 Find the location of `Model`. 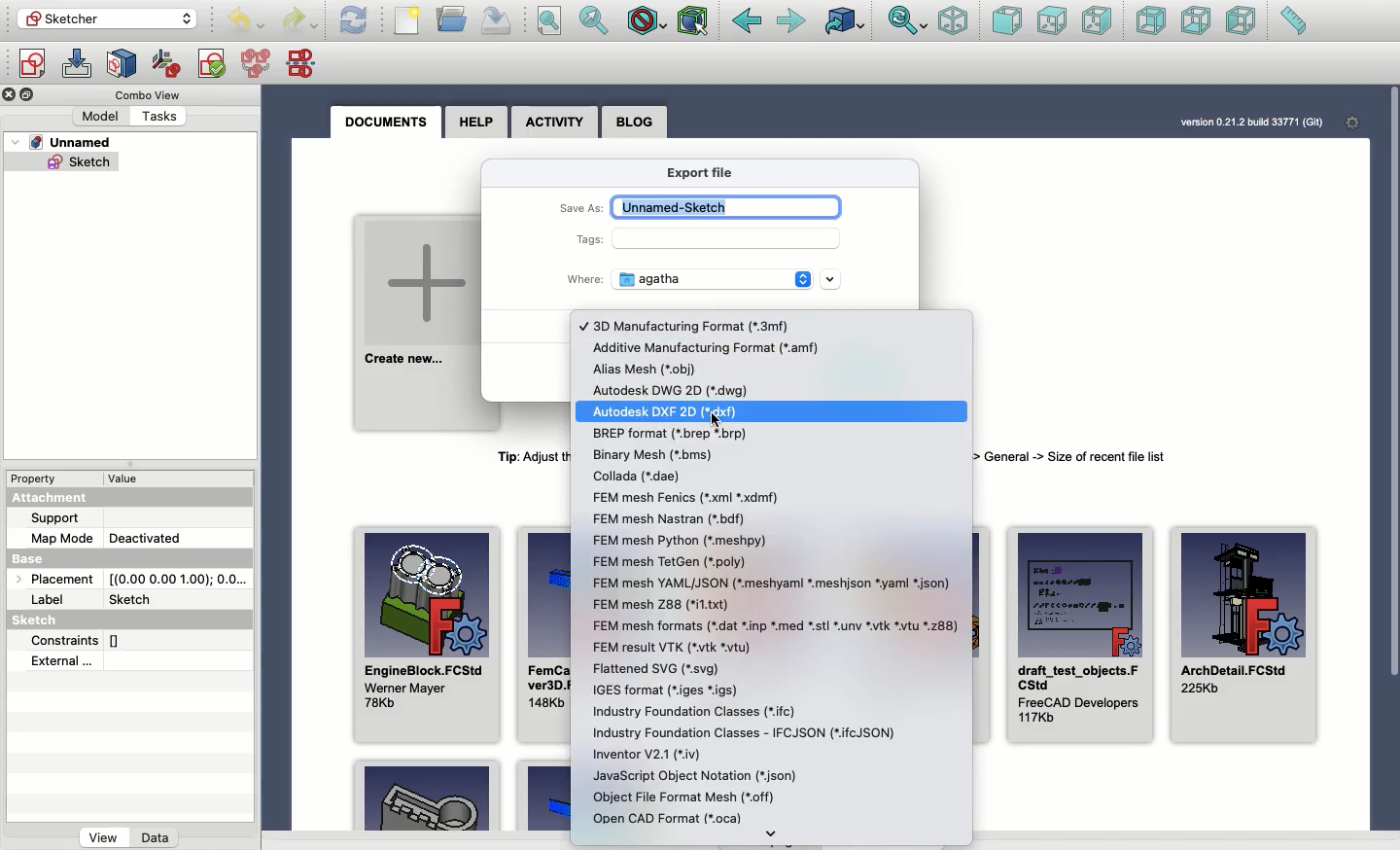

Model is located at coordinates (102, 116).